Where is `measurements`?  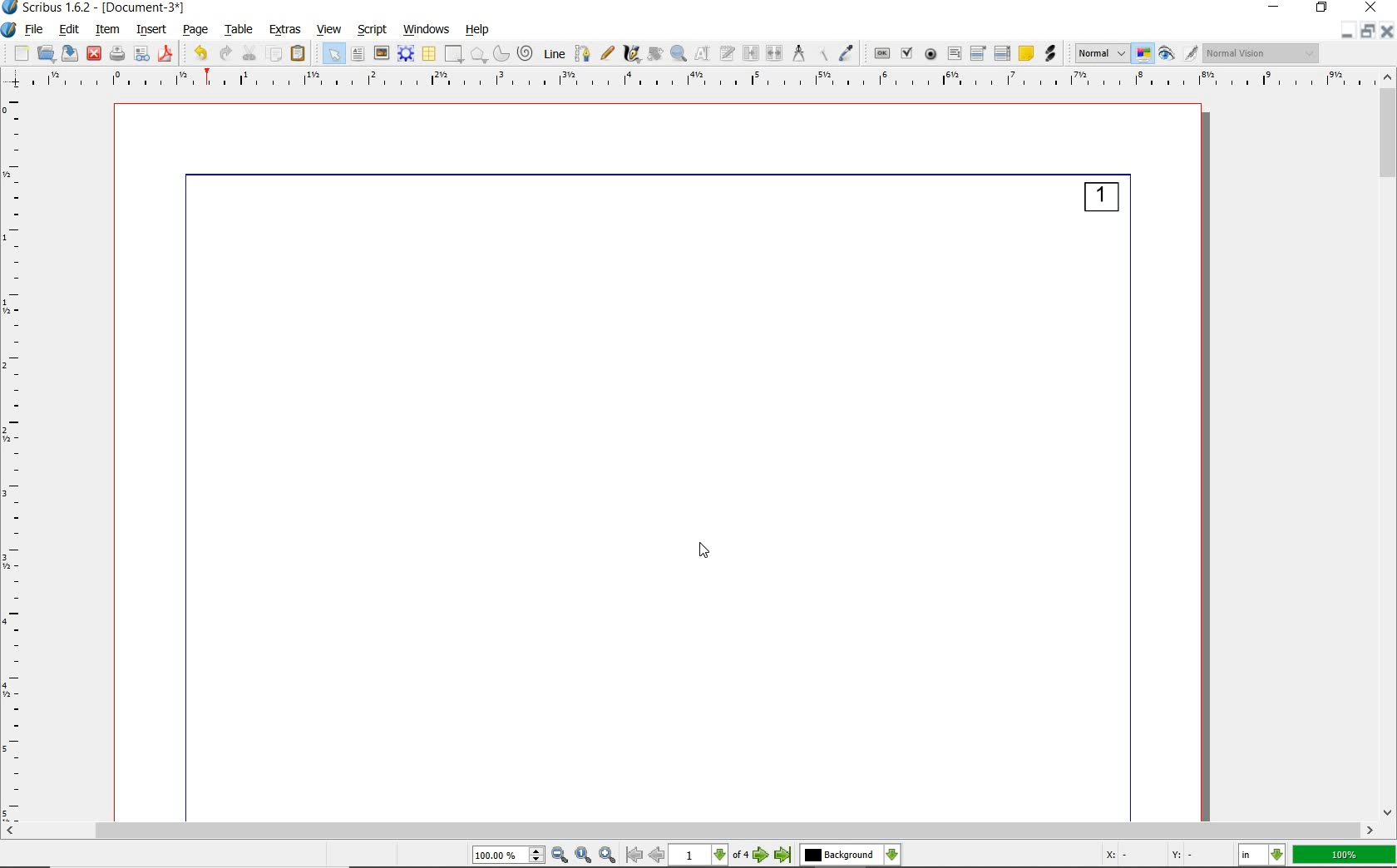
measurements is located at coordinates (797, 54).